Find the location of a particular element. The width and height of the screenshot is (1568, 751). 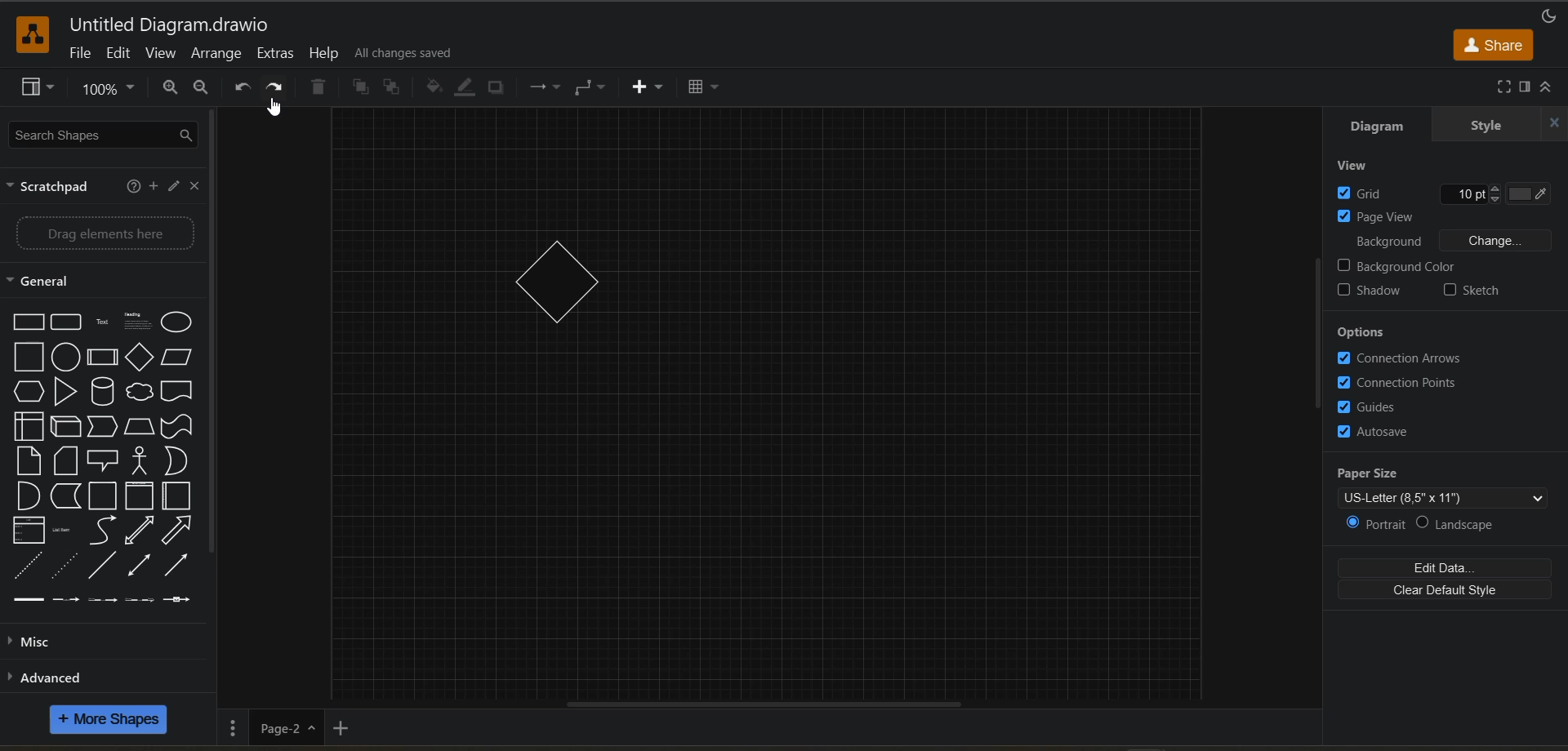

redo is located at coordinates (277, 87).